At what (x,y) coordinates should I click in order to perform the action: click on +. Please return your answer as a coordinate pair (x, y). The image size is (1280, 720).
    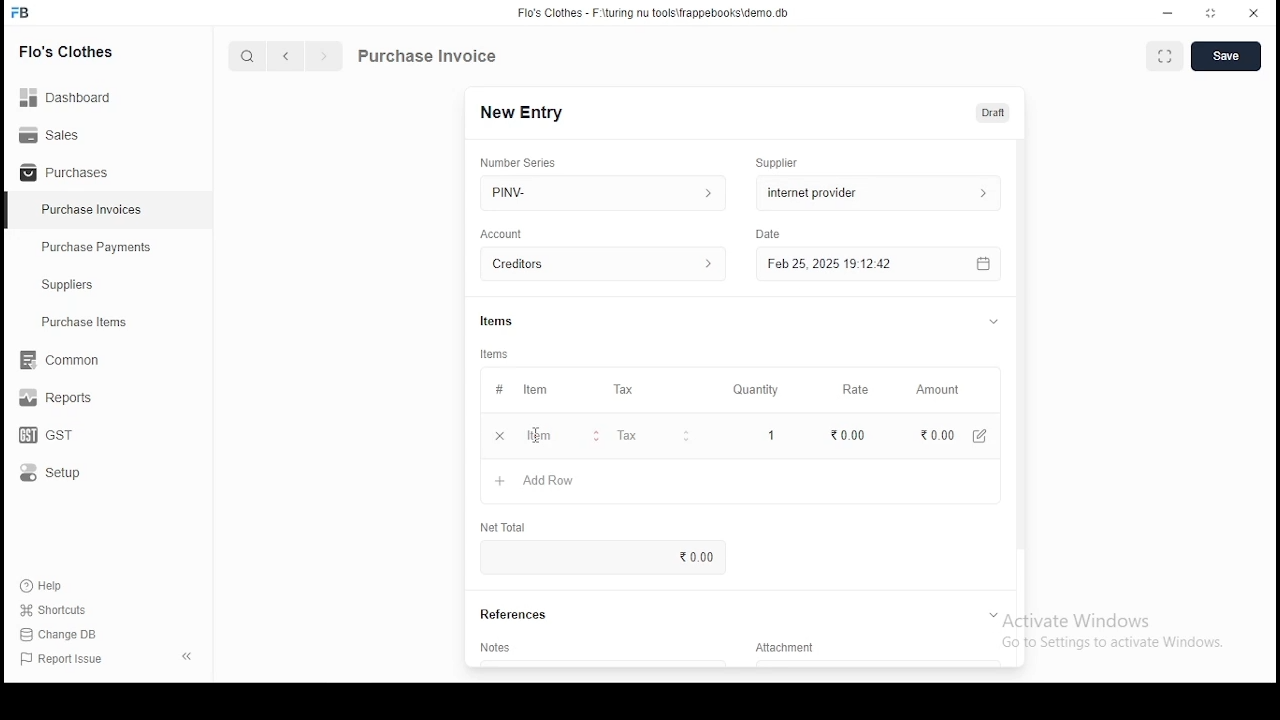
    Looking at the image, I should click on (499, 437).